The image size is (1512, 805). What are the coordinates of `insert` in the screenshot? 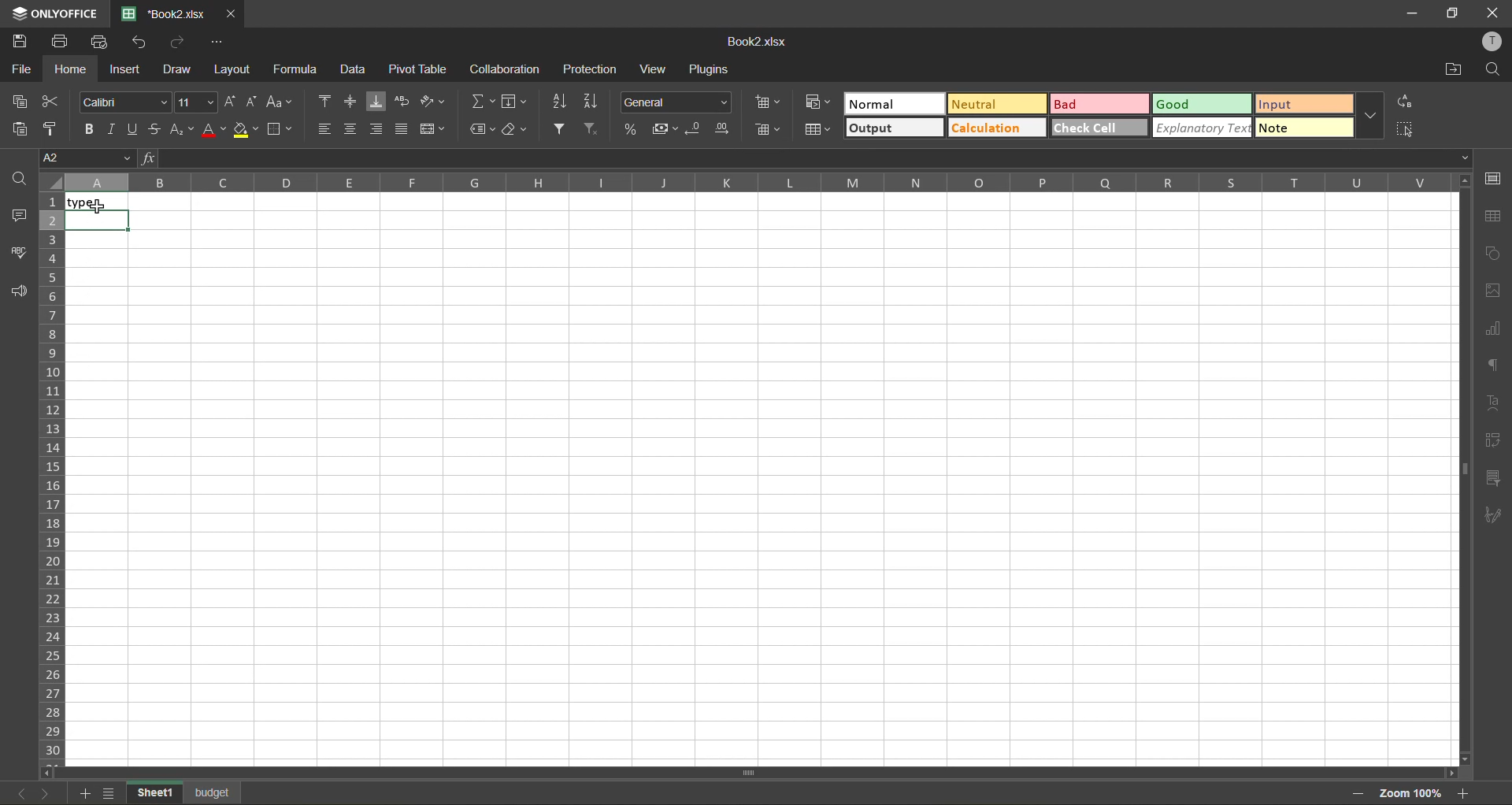 It's located at (127, 71).